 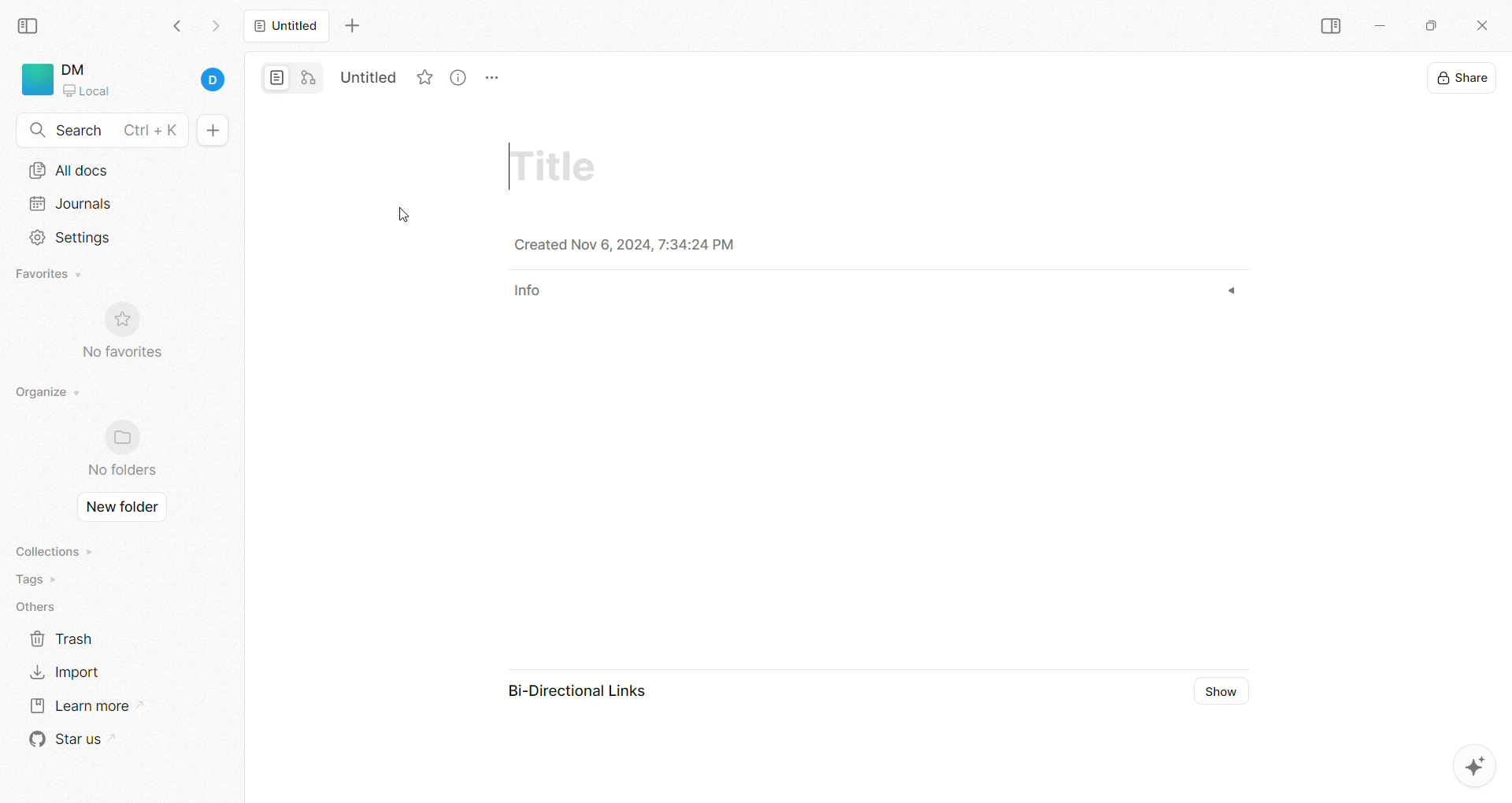 What do you see at coordinates (1378, 28) in the screenshot?
I see `minimize` at bounding box center [1378, 28].